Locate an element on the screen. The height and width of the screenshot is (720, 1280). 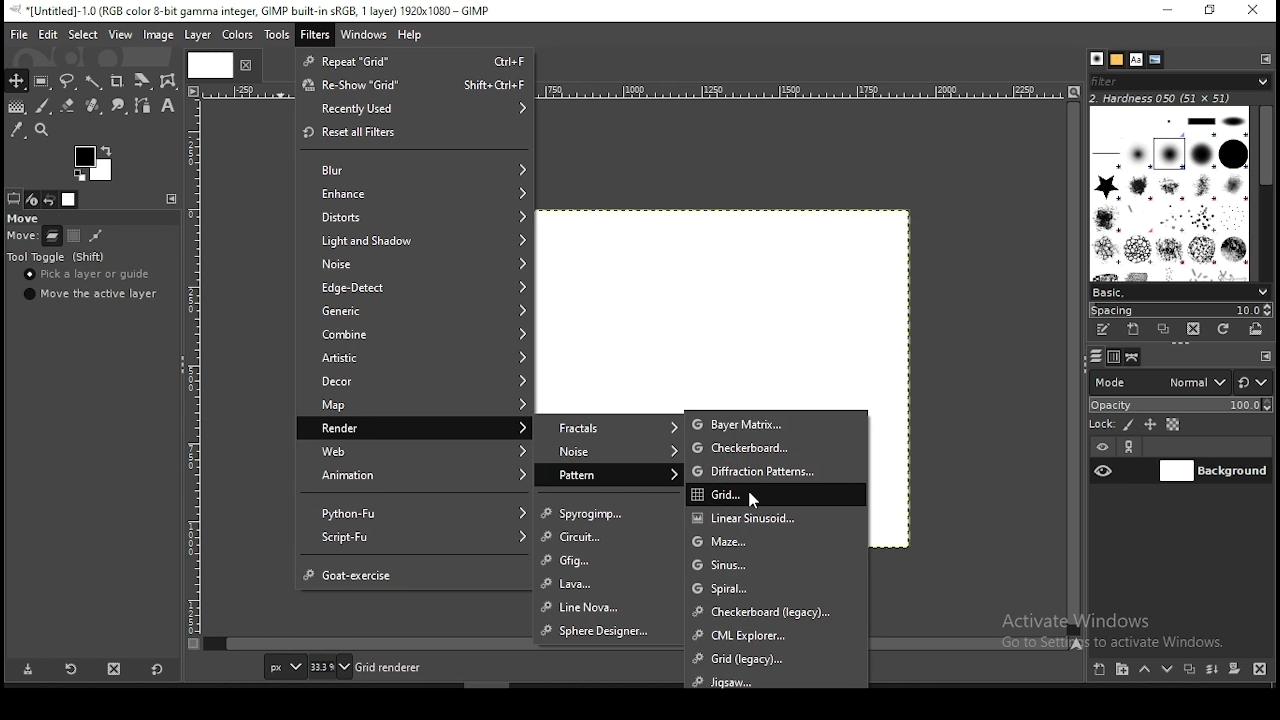
color picker tool is located at coordinates (17, 129).